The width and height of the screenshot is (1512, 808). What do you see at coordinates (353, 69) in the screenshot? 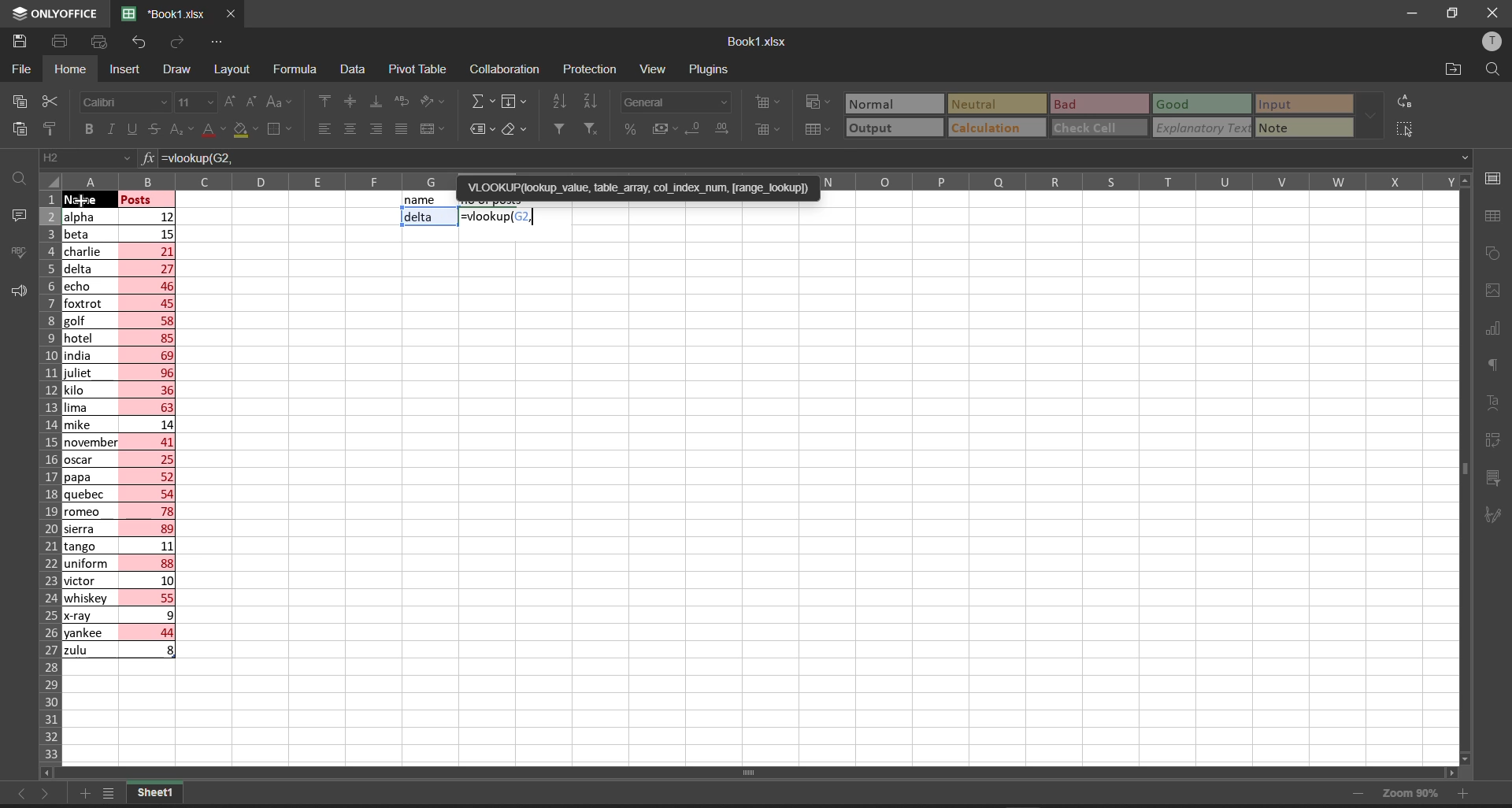
I see `data` at bounding box center [353, 69].